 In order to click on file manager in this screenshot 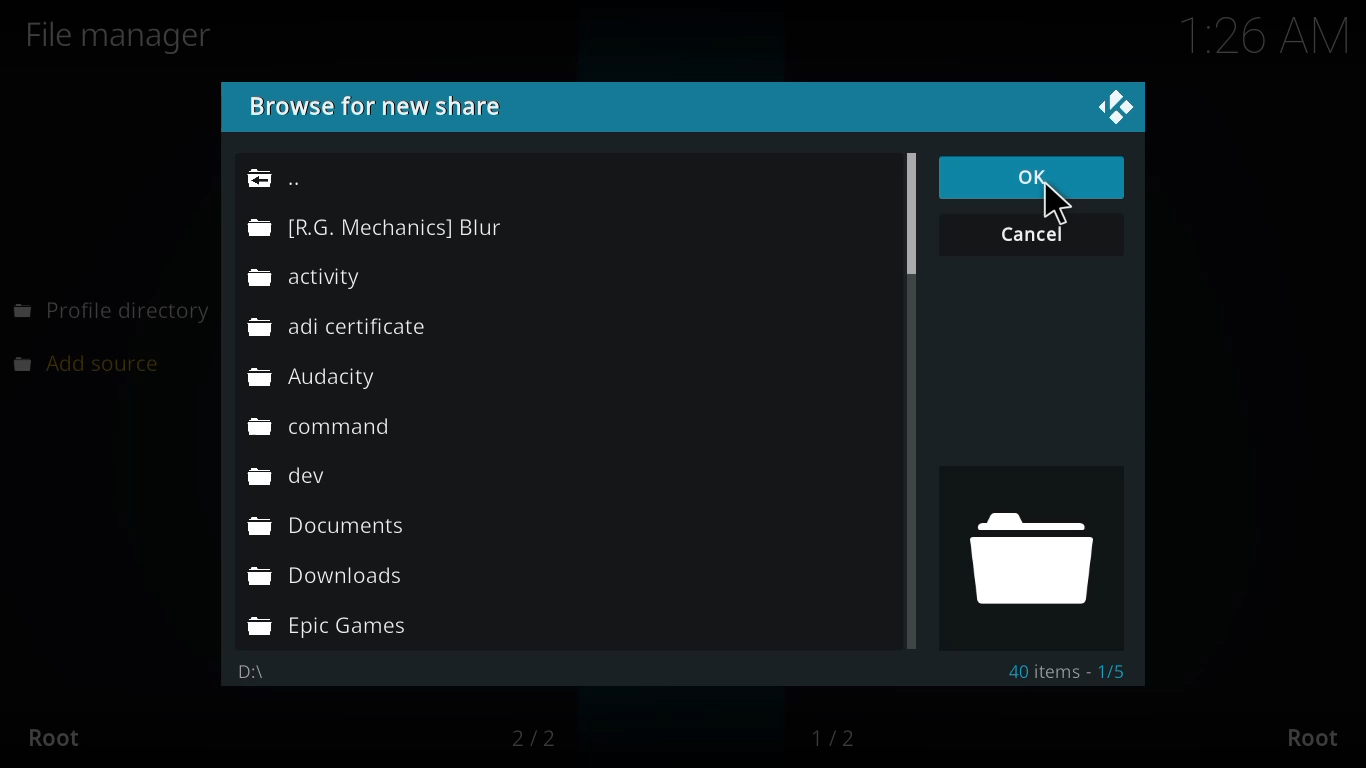, I will do `click(127, 35)`.